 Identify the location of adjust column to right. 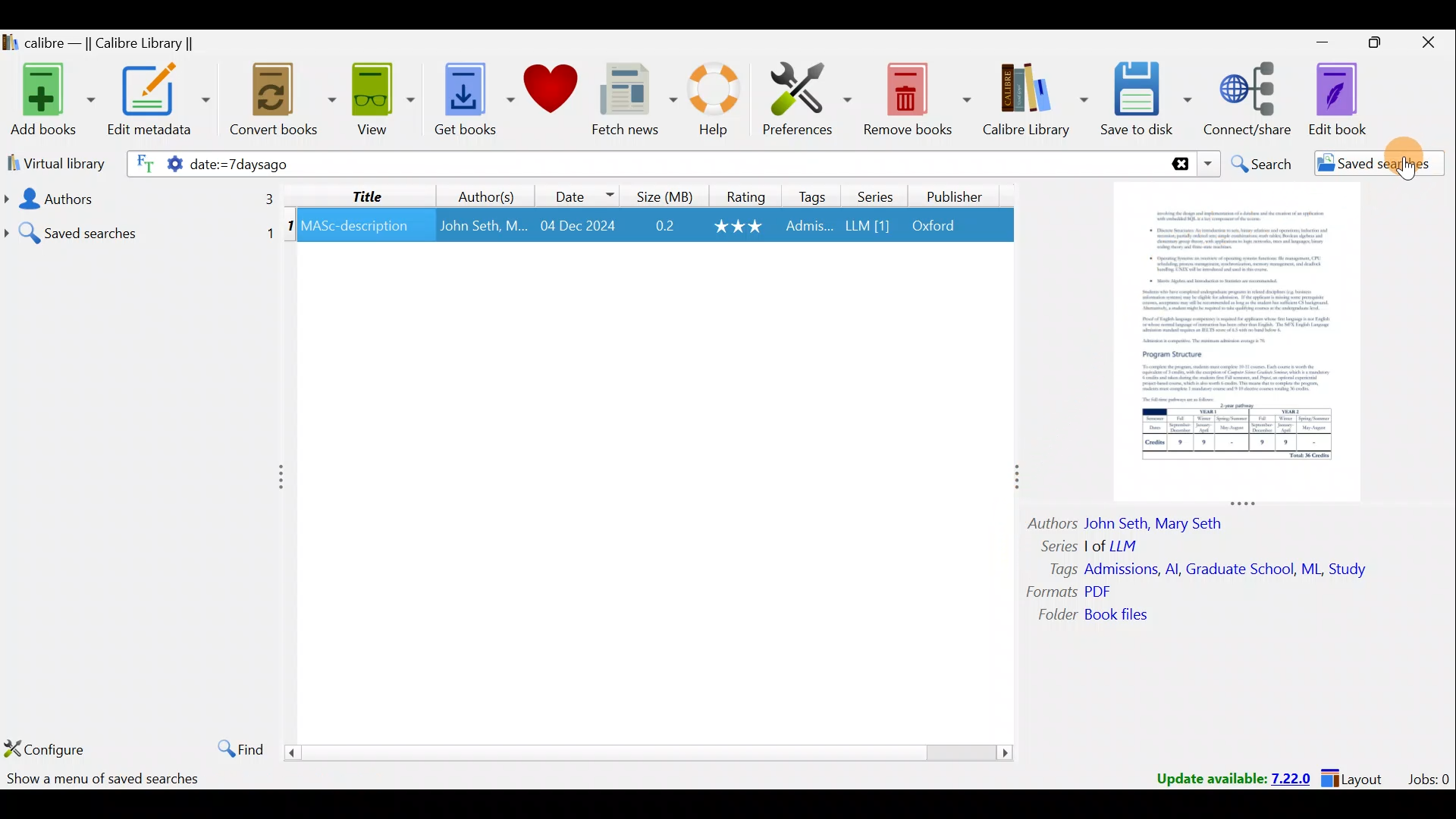
(1015, 481).